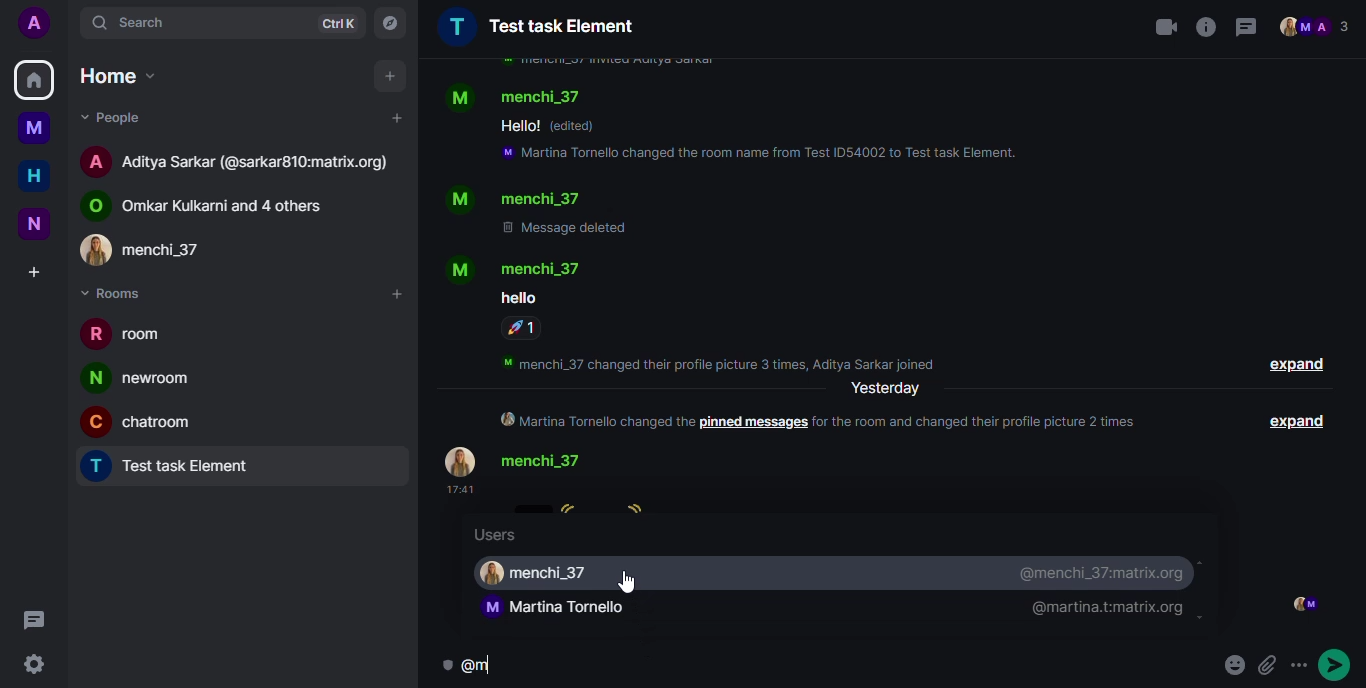  Describe the element at coordinates (1301, 421) in the screenshot. I see `expand` at that location.